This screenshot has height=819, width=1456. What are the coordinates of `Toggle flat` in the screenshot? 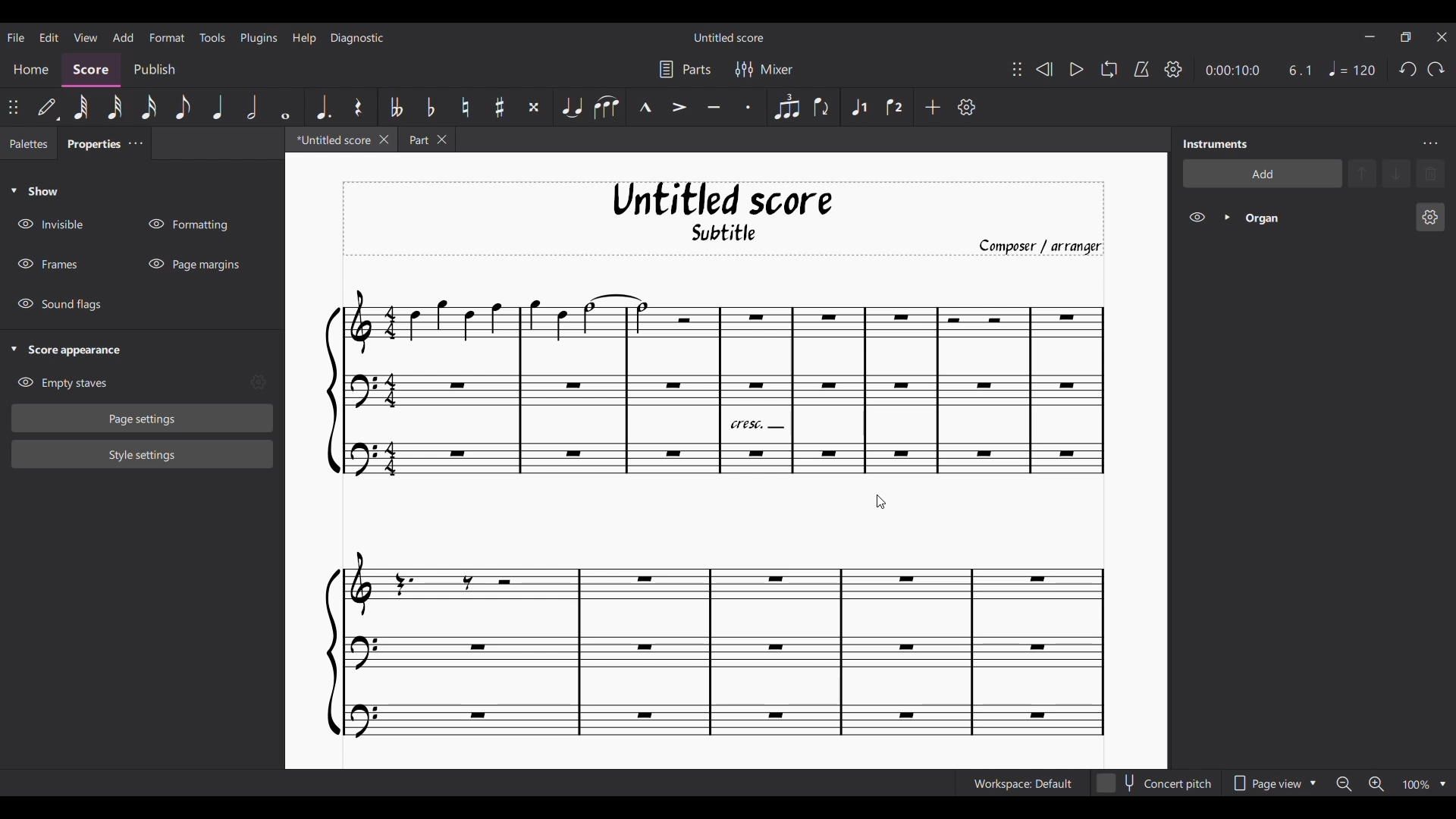 It's located at (429, 106).